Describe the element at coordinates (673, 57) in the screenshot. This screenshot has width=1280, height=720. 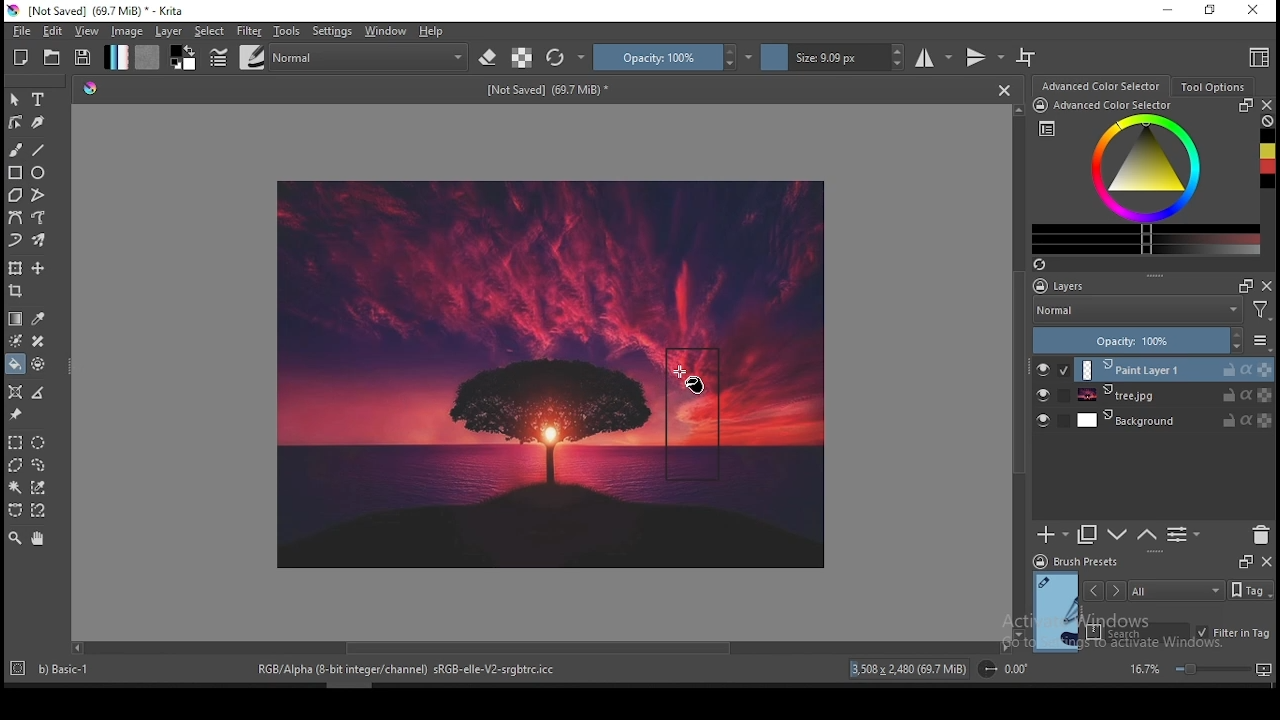
I see `opacity` at that location.